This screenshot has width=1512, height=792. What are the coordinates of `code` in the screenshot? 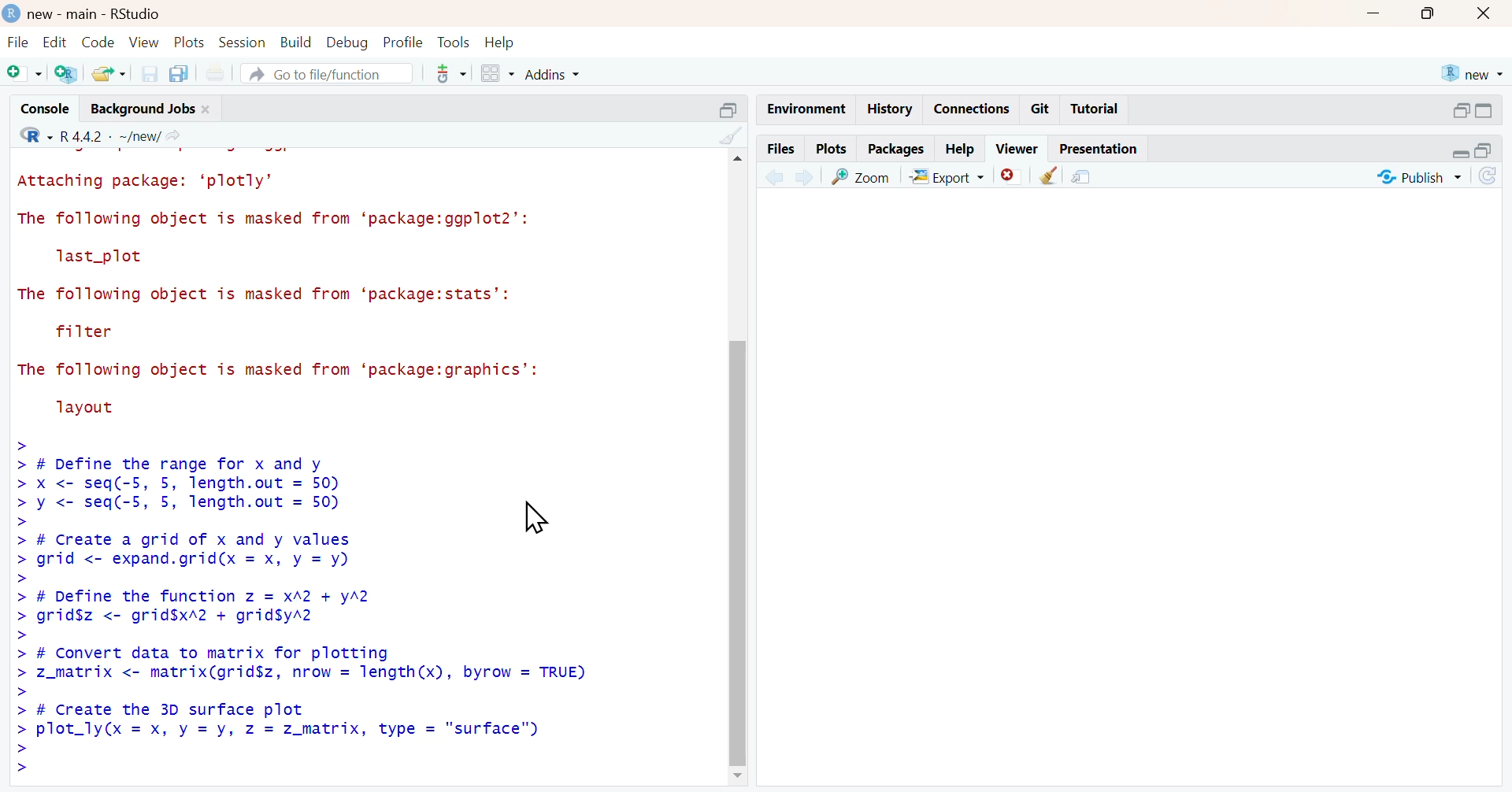 It's located at (96, 43).